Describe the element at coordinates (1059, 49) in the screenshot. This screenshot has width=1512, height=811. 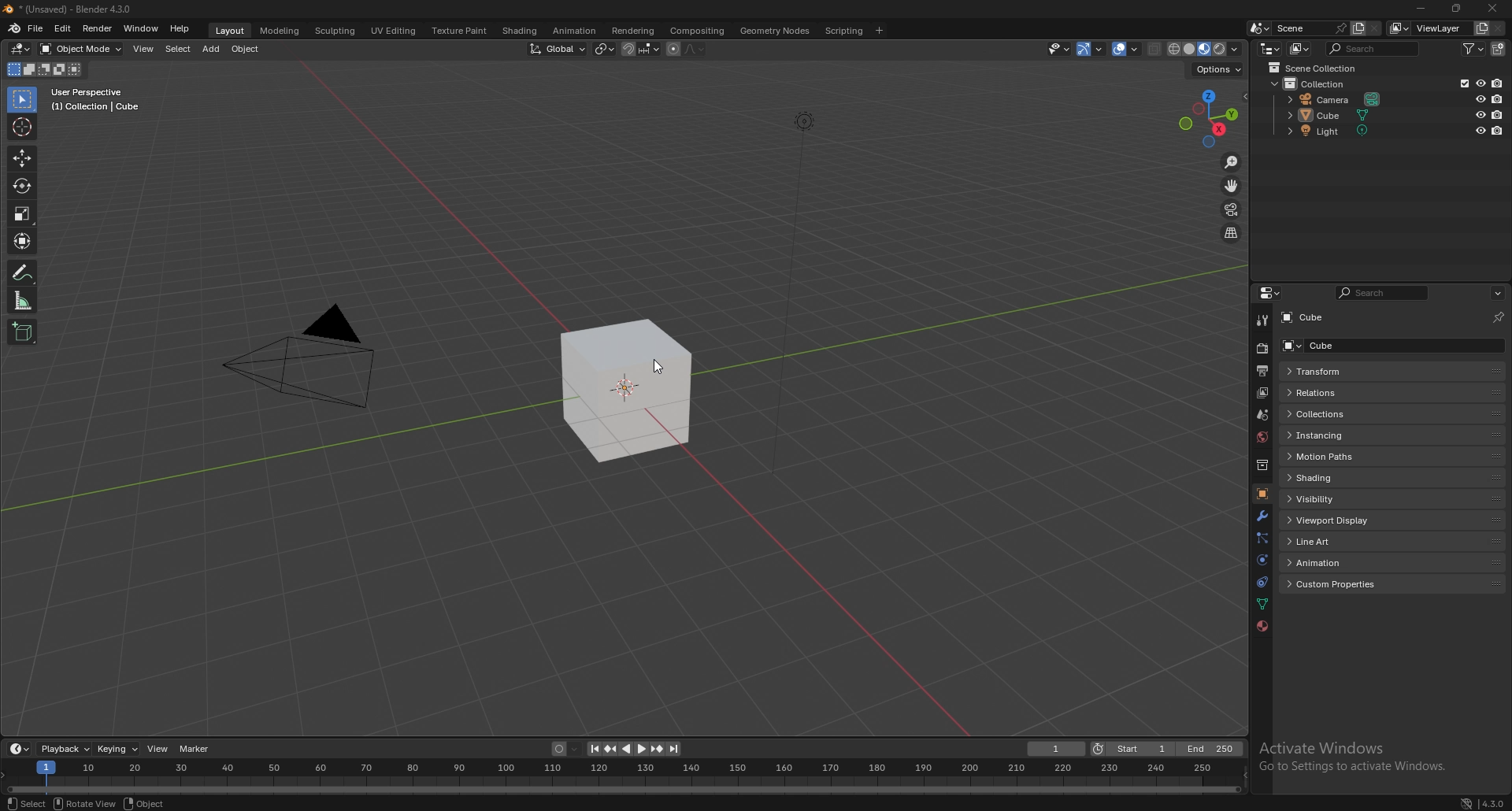
I see `selectibility and visibility` at that location.